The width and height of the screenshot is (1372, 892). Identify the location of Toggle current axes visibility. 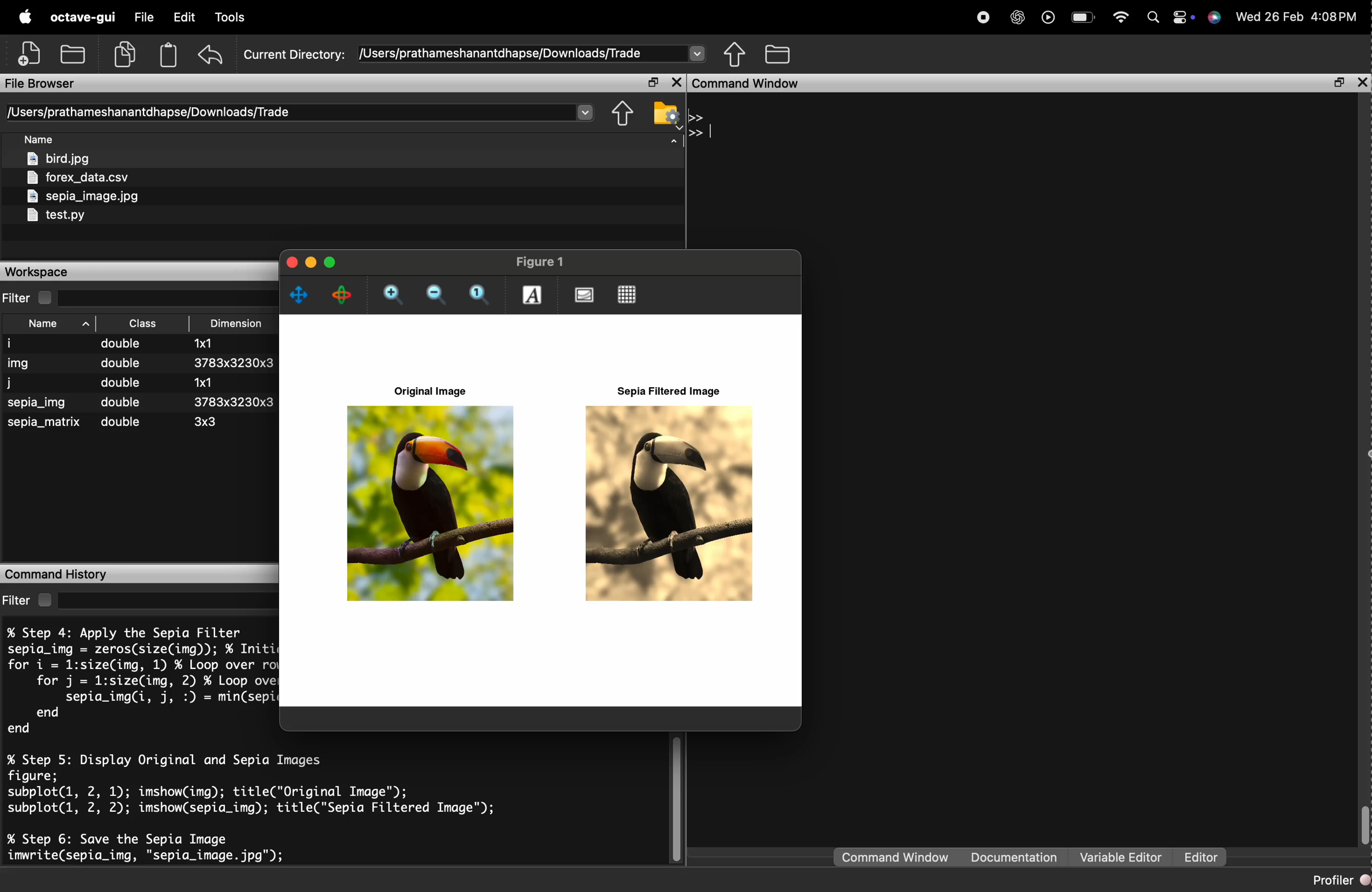
(584, 296).